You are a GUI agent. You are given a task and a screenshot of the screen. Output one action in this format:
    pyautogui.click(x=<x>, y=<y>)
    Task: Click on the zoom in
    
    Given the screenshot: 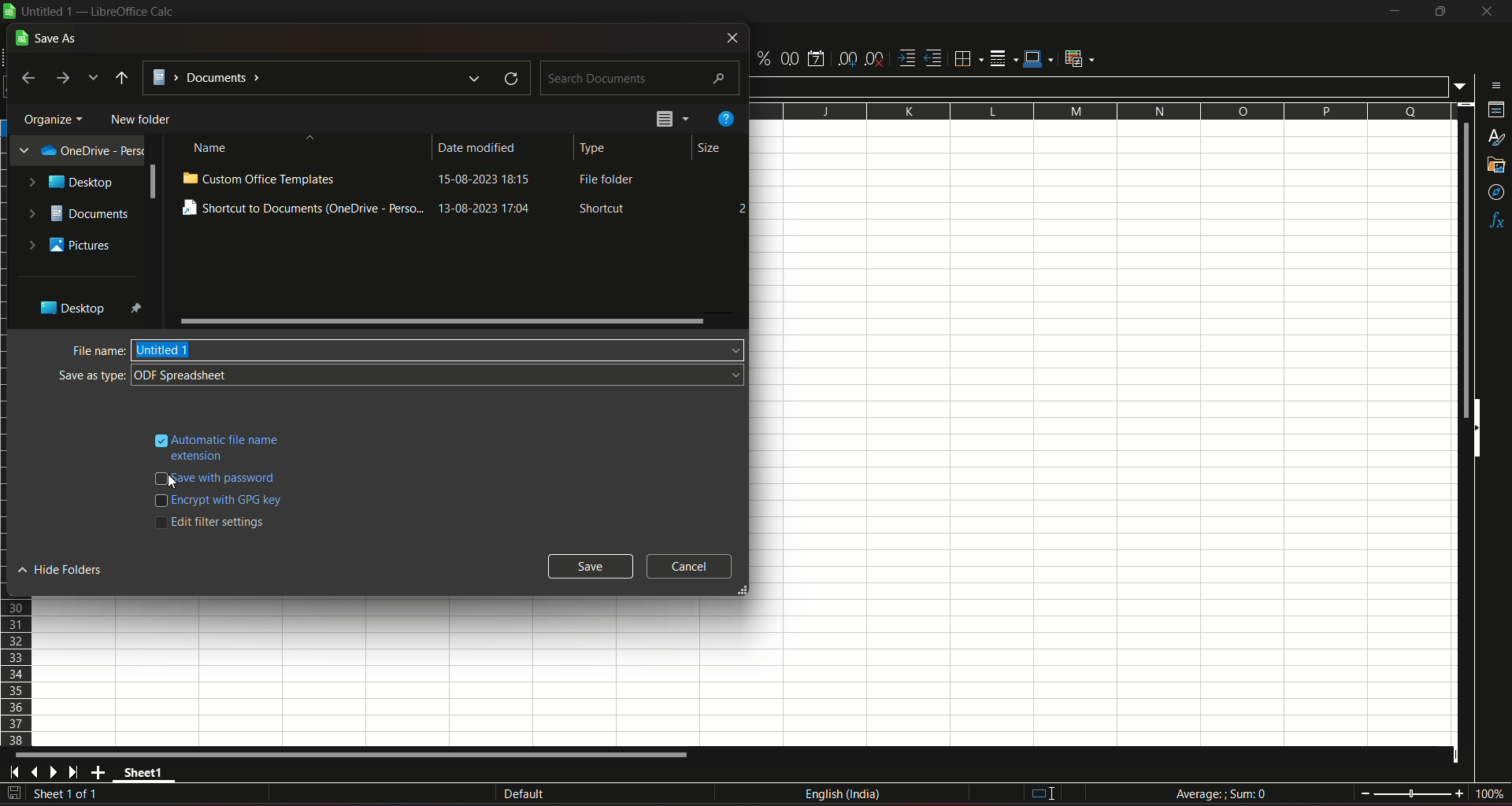 What is the action you would take?
    pyautogui.click(x=1458, y=793)
    